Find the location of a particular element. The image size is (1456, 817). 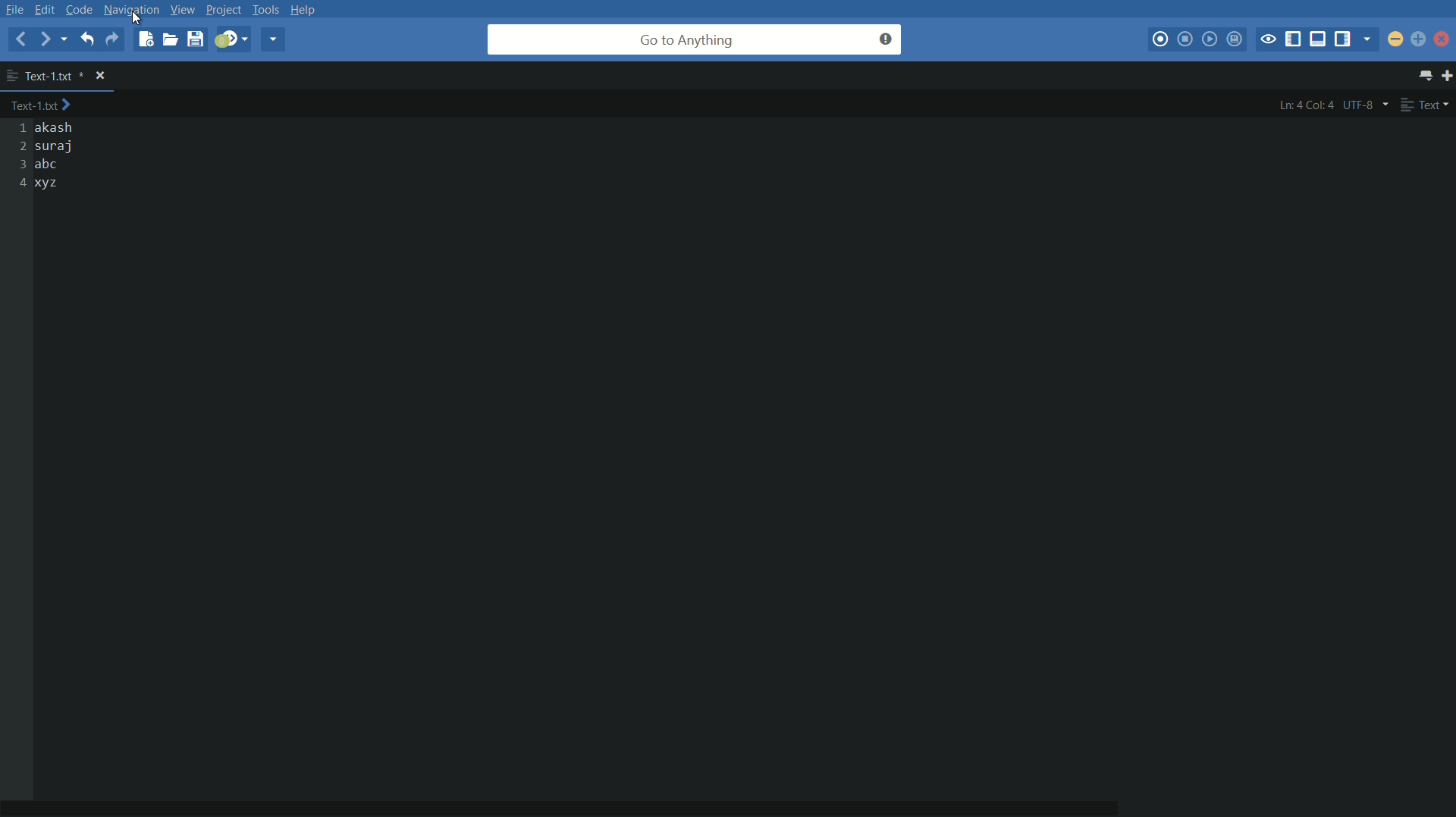

close is located at coordinates (1443, 42).